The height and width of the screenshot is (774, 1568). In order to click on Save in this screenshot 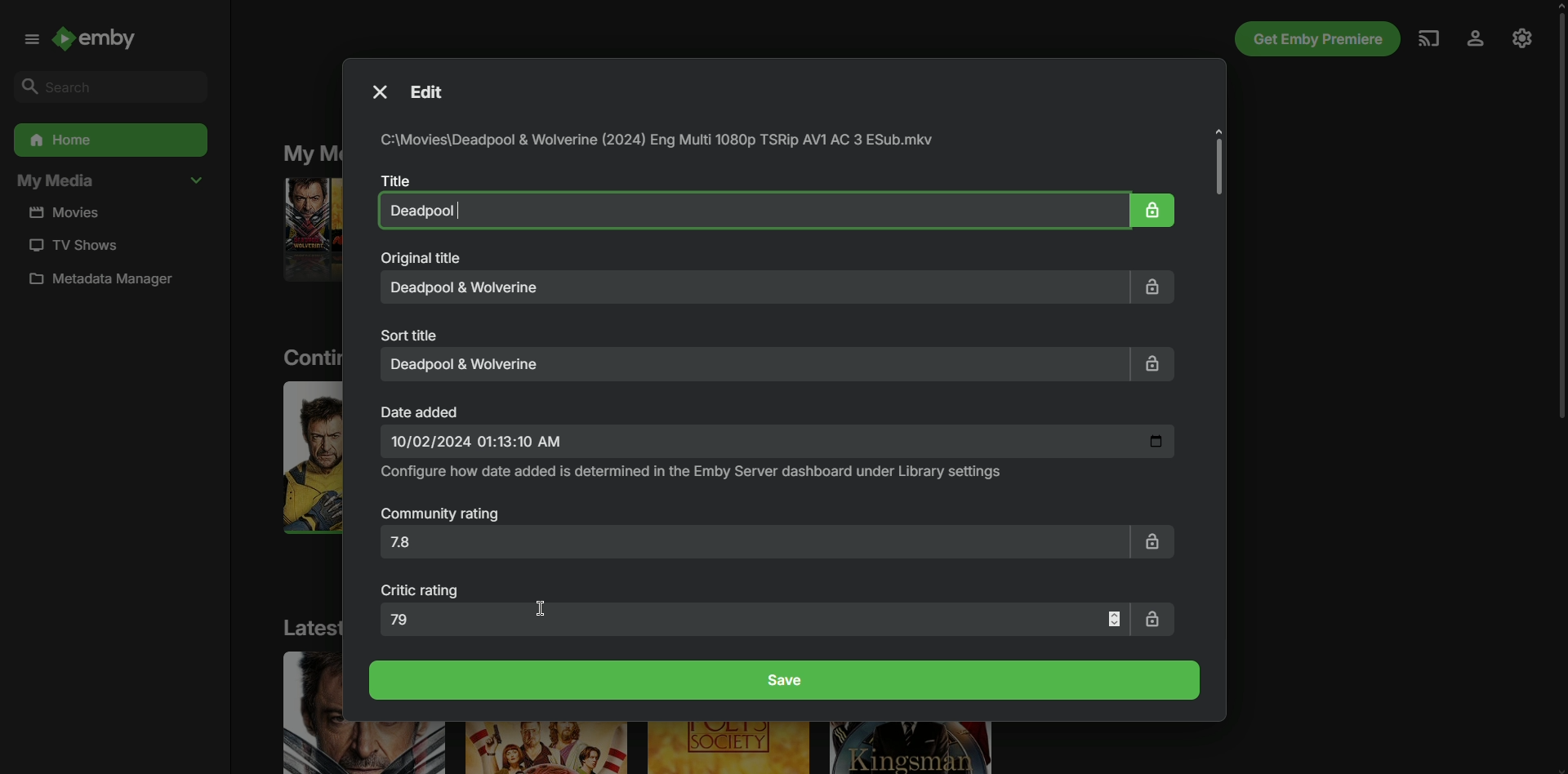, I will do `click(786, 680)`.